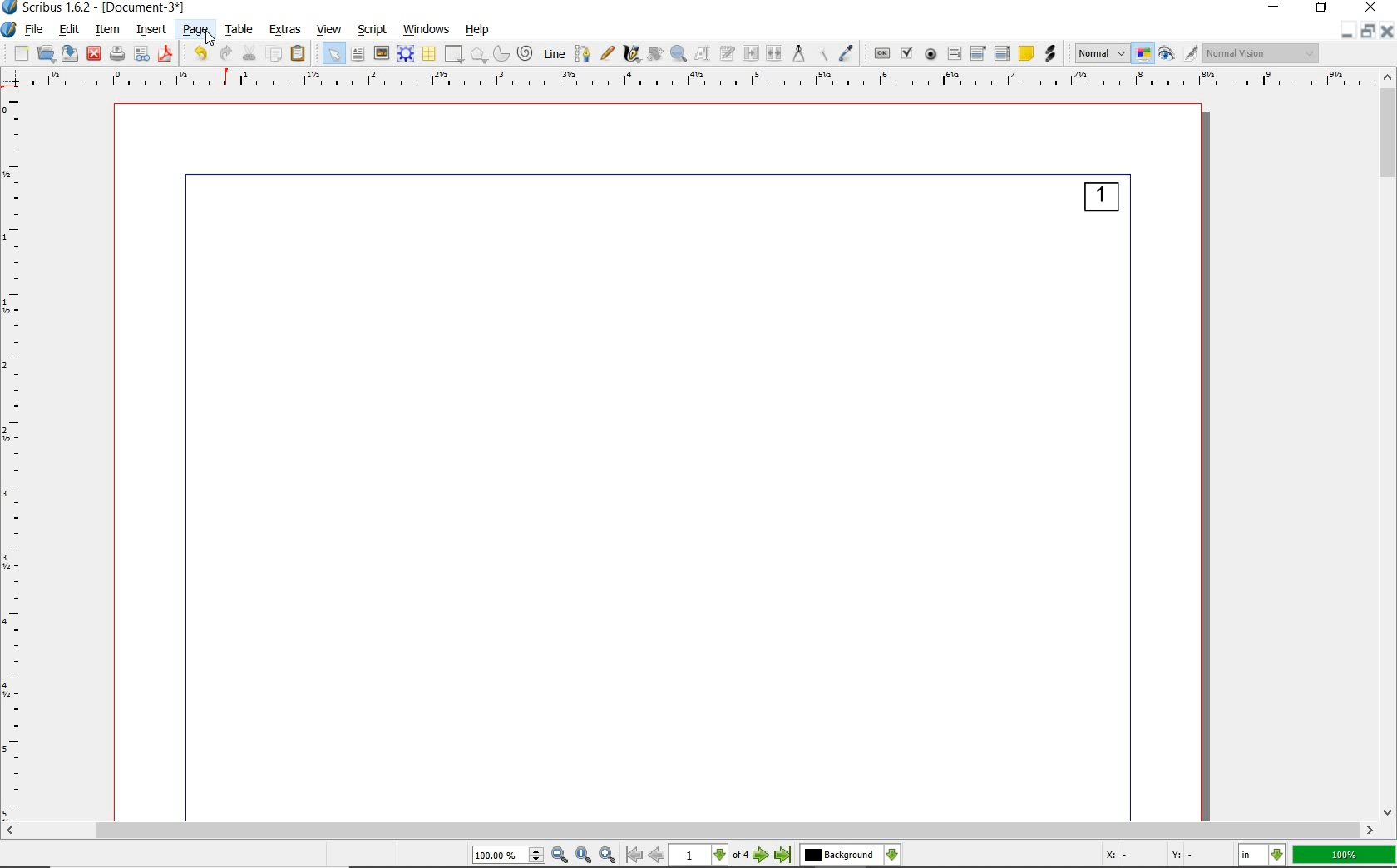  I want to click on file, so click(36, 30).